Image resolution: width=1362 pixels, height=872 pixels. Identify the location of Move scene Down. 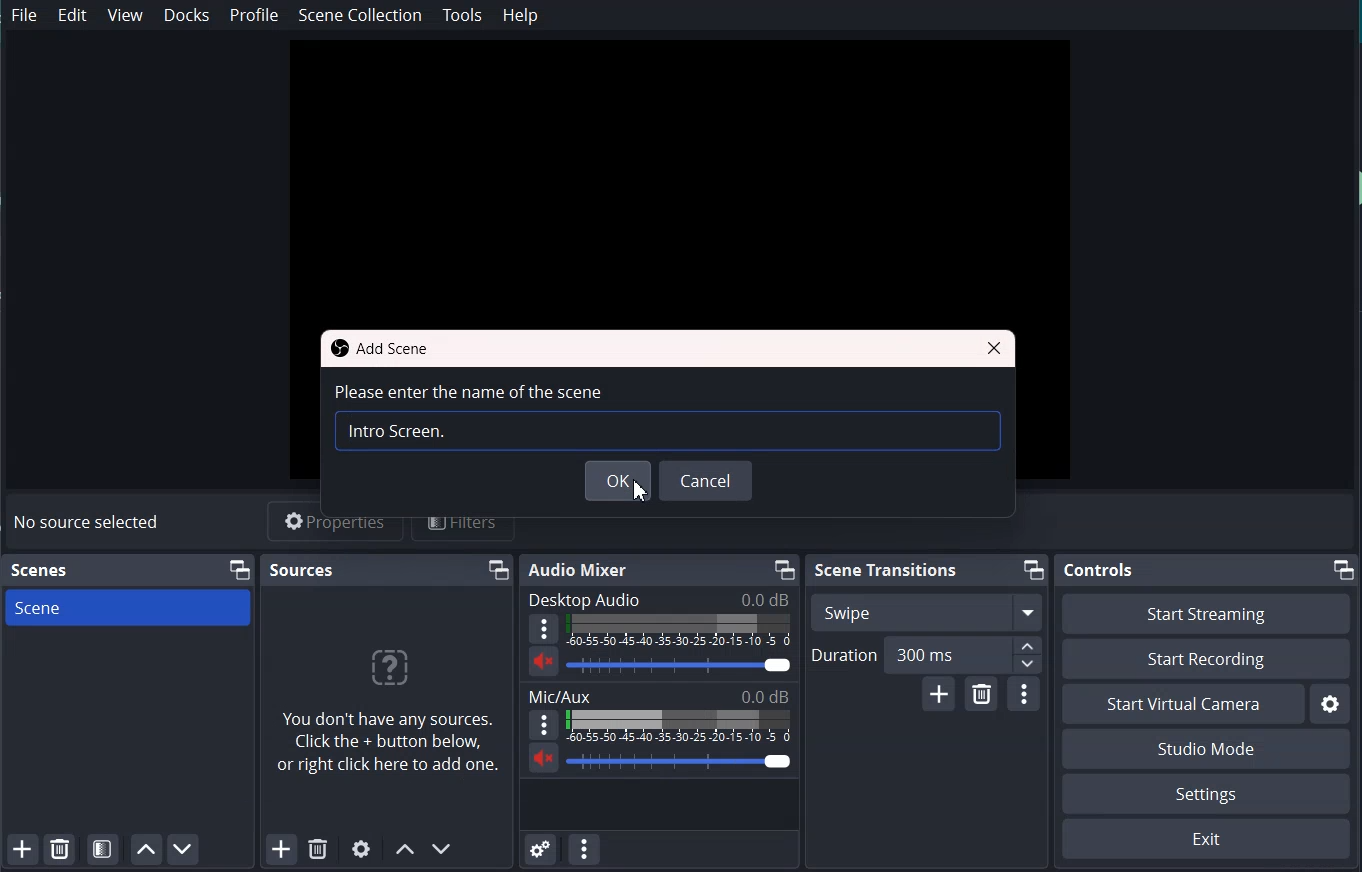
(443, 849).